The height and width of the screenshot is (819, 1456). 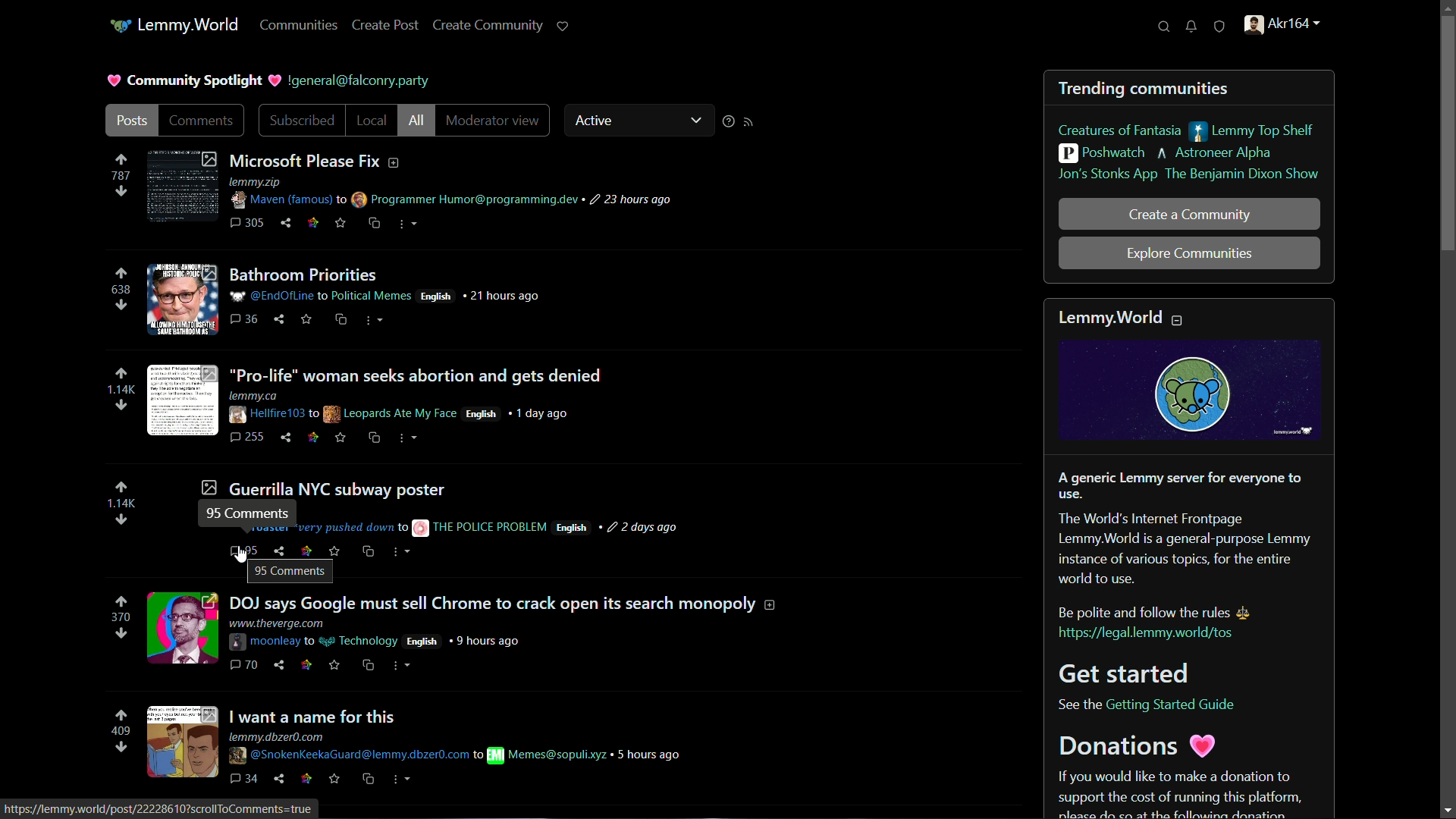 What do you see at coordinates (352, 527) in the screenshot?
I see `very pushed down to` at bounding box center [352, 527].